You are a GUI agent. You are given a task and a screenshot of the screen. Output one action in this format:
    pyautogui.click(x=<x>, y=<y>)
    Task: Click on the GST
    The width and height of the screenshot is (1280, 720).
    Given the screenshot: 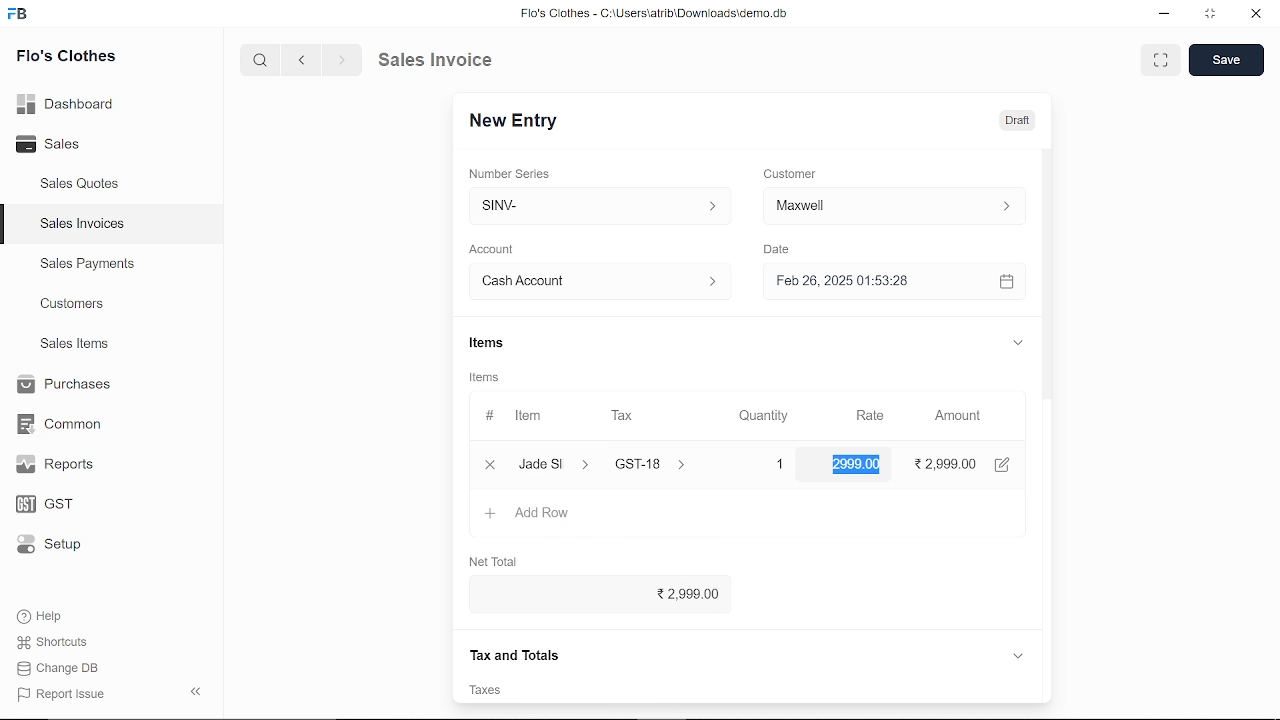 What is the action you would take?
    pyautogui.click(x=62, y=505)
    